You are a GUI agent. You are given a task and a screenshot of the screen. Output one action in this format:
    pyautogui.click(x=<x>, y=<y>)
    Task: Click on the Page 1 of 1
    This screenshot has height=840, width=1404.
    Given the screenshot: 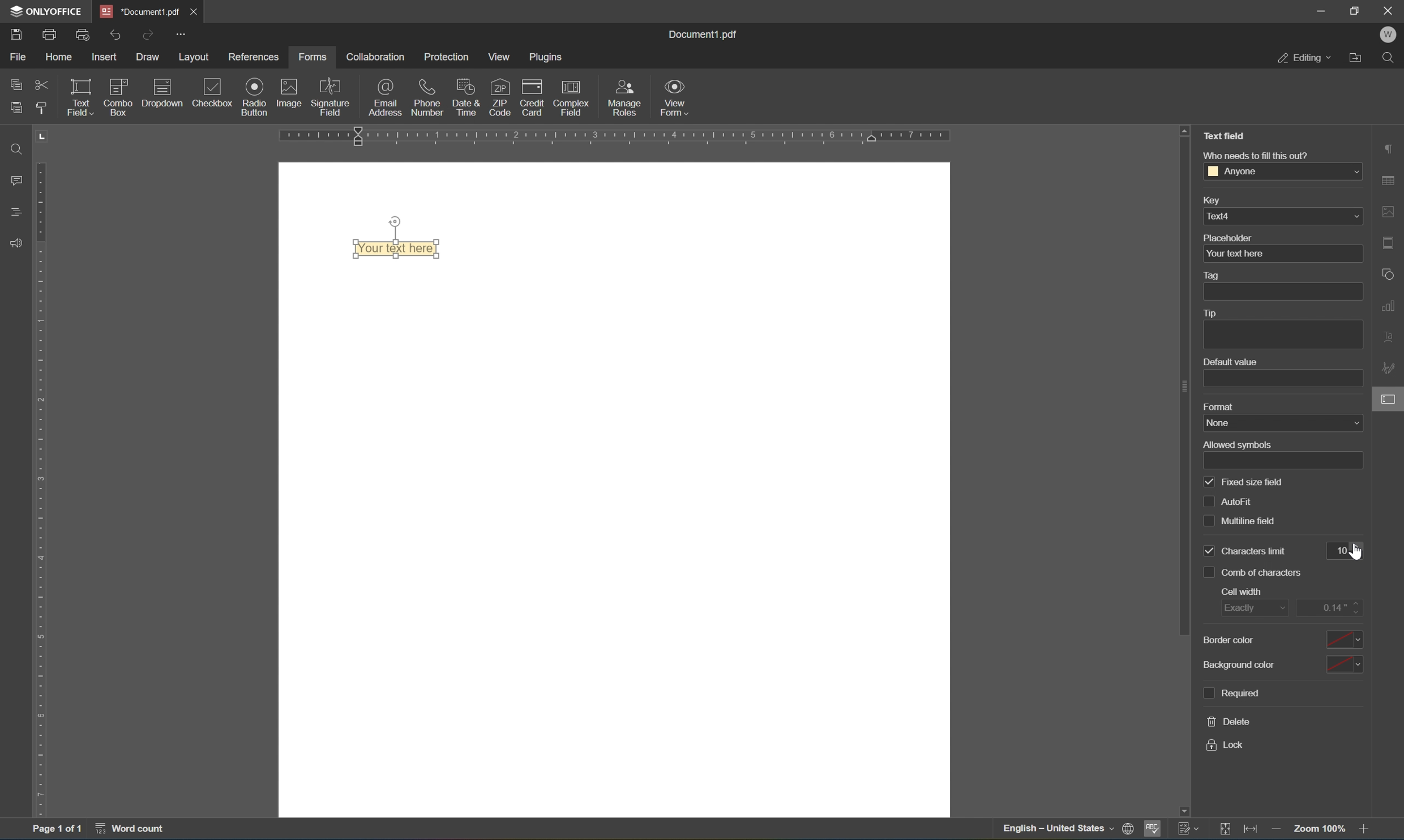 What is the action you would take?
    pyautogui.click(x=58, y=830)
    